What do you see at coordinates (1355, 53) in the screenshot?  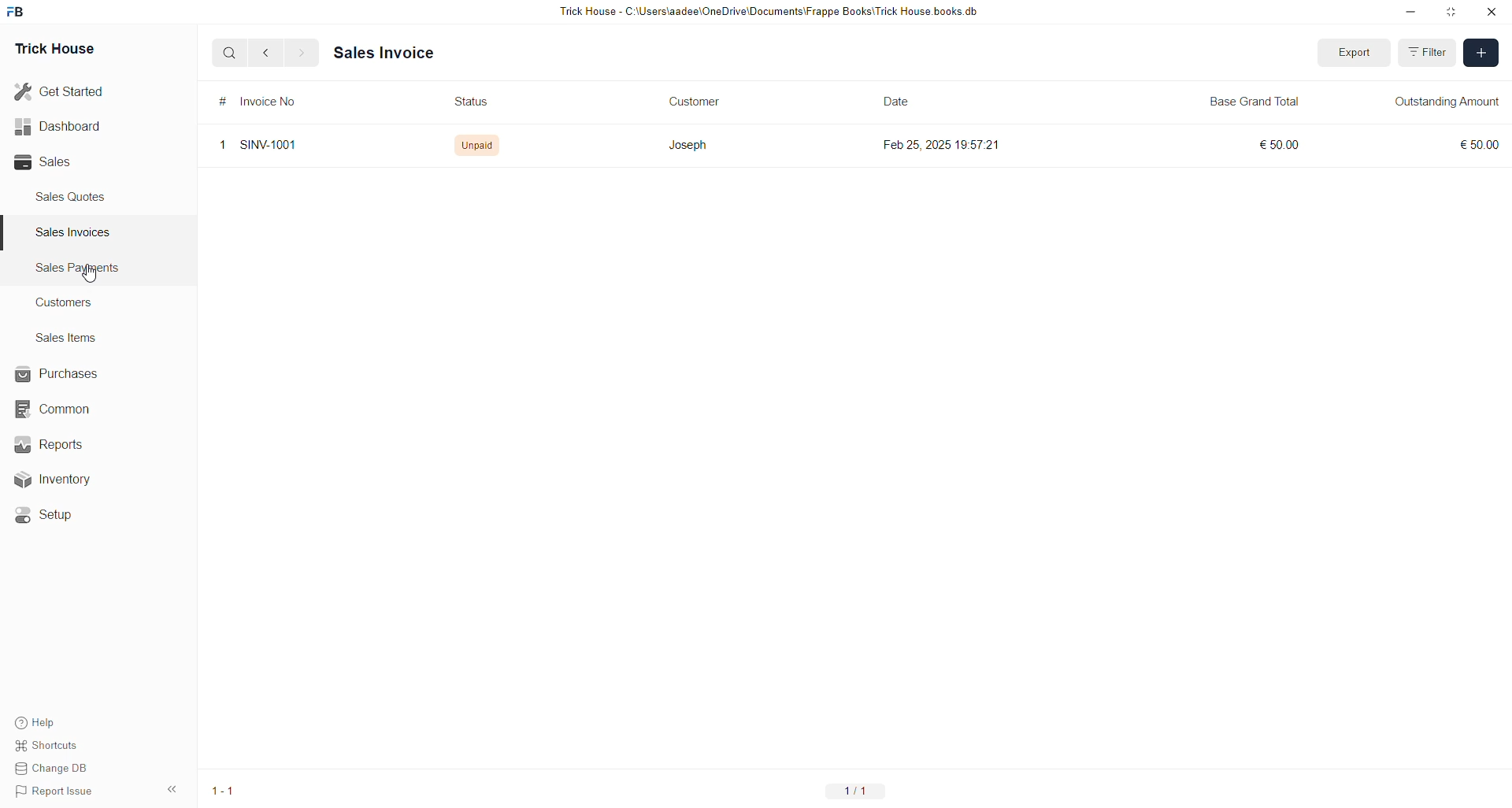 I see `Export` at bounding box center [1355, 53].